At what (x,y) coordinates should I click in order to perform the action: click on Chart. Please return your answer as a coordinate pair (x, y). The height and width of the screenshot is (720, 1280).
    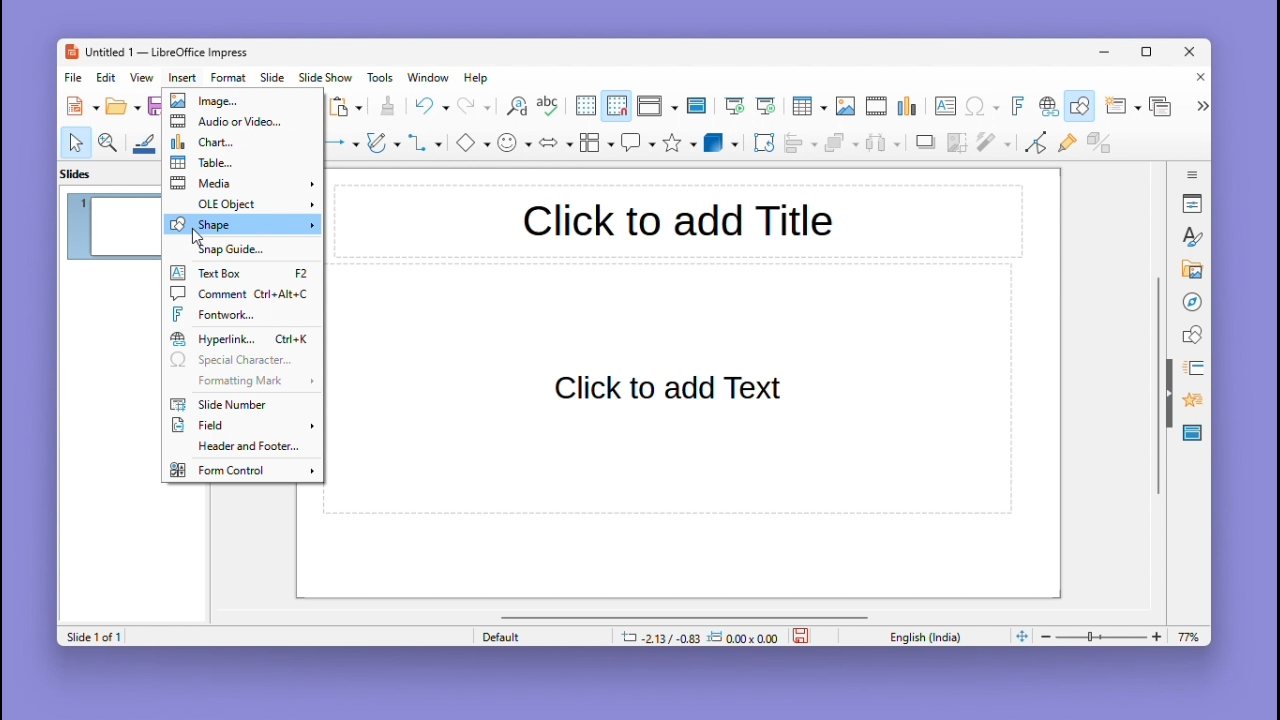
    Looking at the image, I should click on (241, 141).